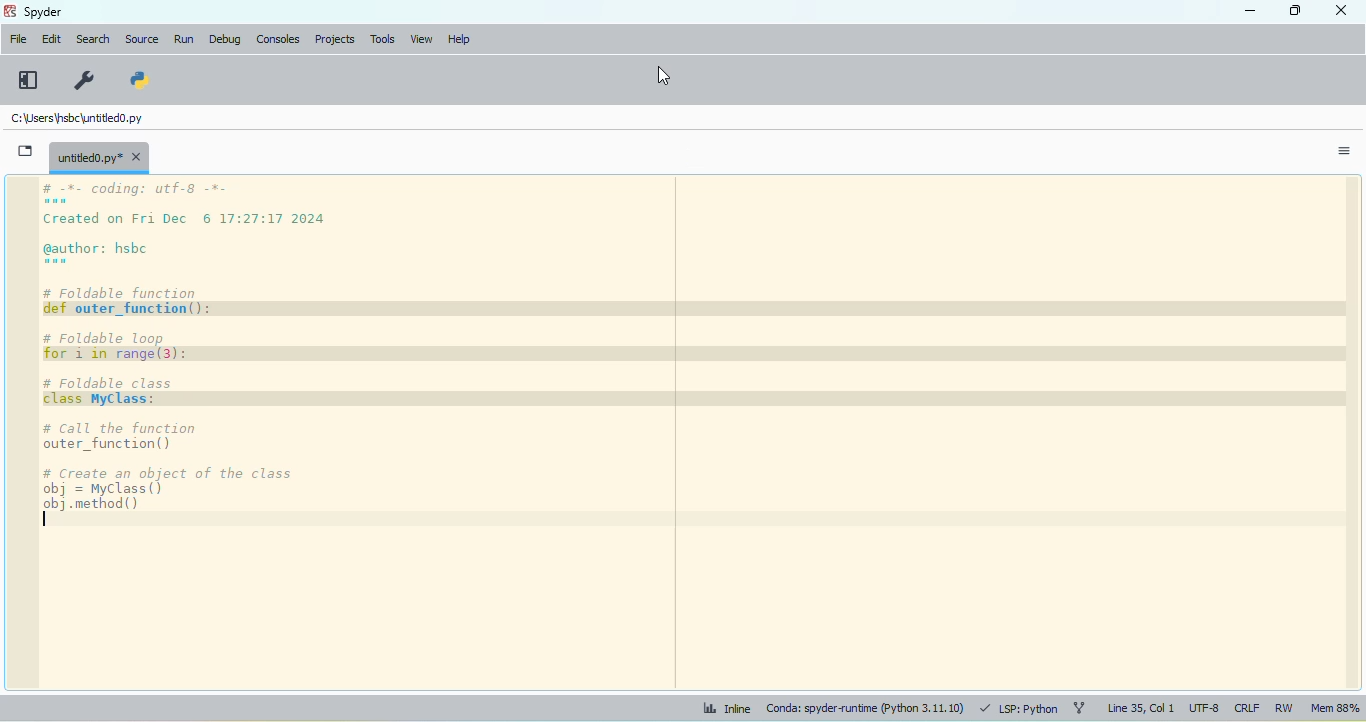 This screenshot has height=722, width=1366. Describe the element at coordinates (74, 118) in the screenshot. I see `untitled0.py` at that location.